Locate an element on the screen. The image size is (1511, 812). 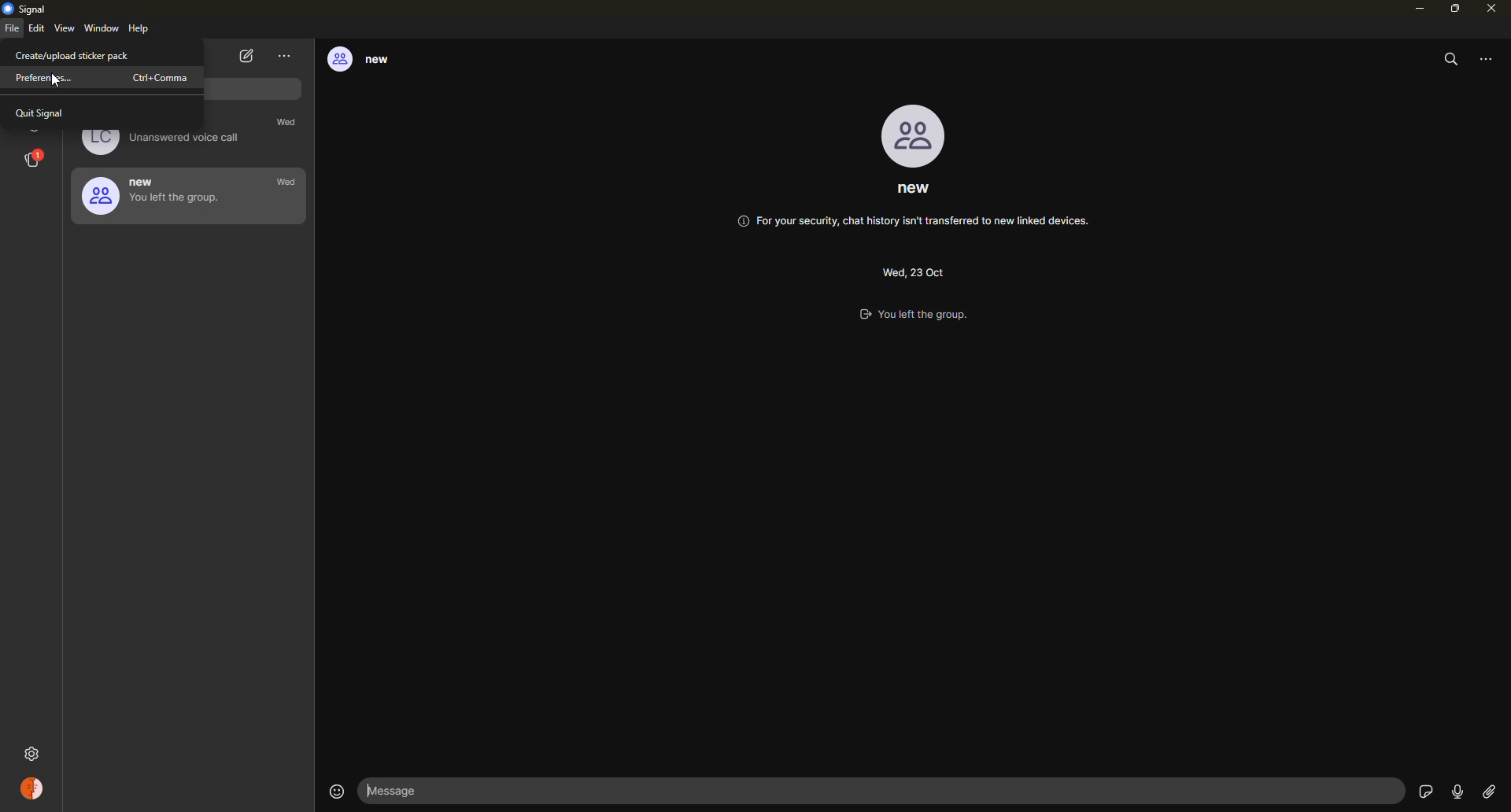
view is located at coordinates (66, 29).